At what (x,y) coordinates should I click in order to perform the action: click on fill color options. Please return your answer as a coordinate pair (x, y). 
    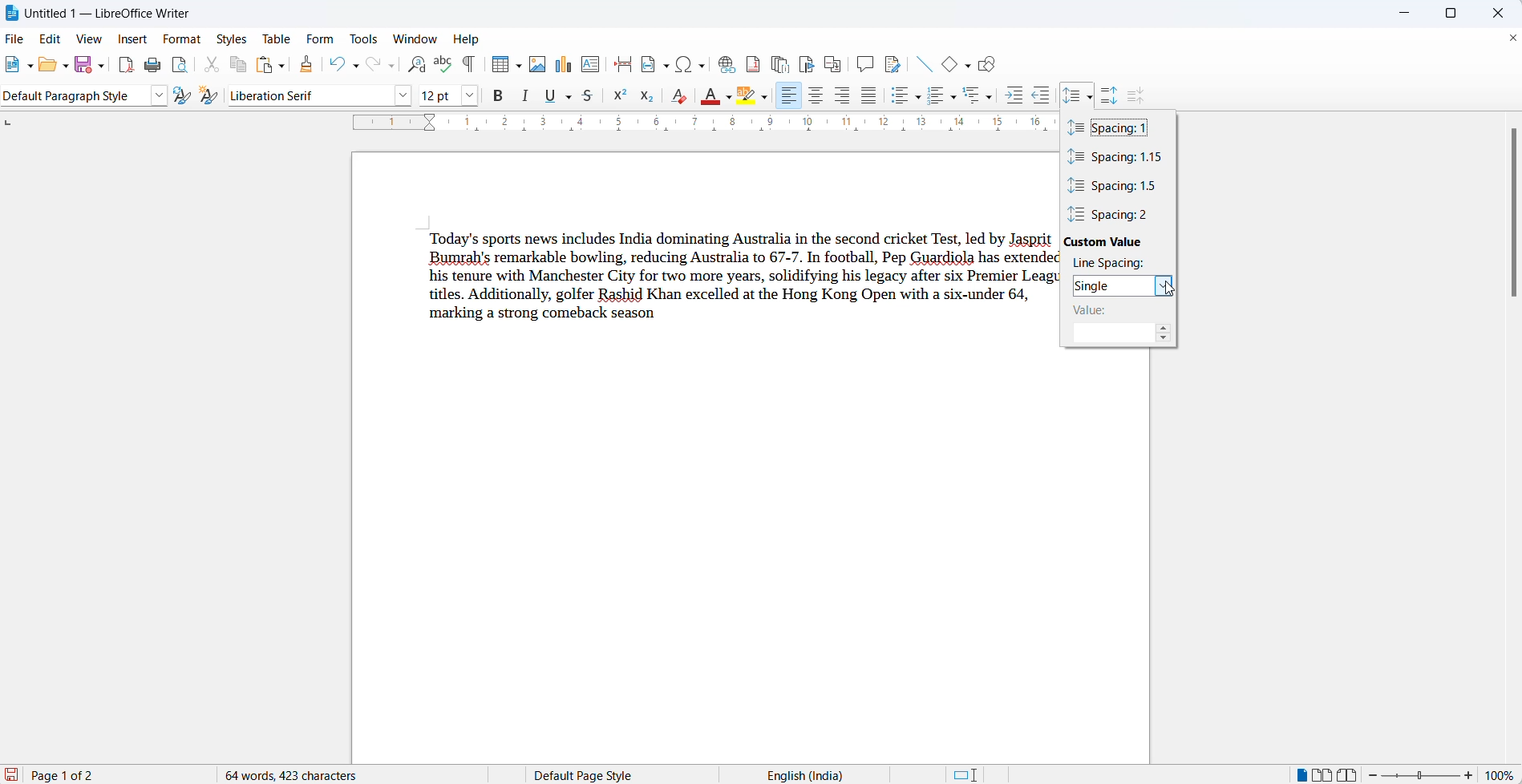
    Looking at the image, I should click on (731, 98).